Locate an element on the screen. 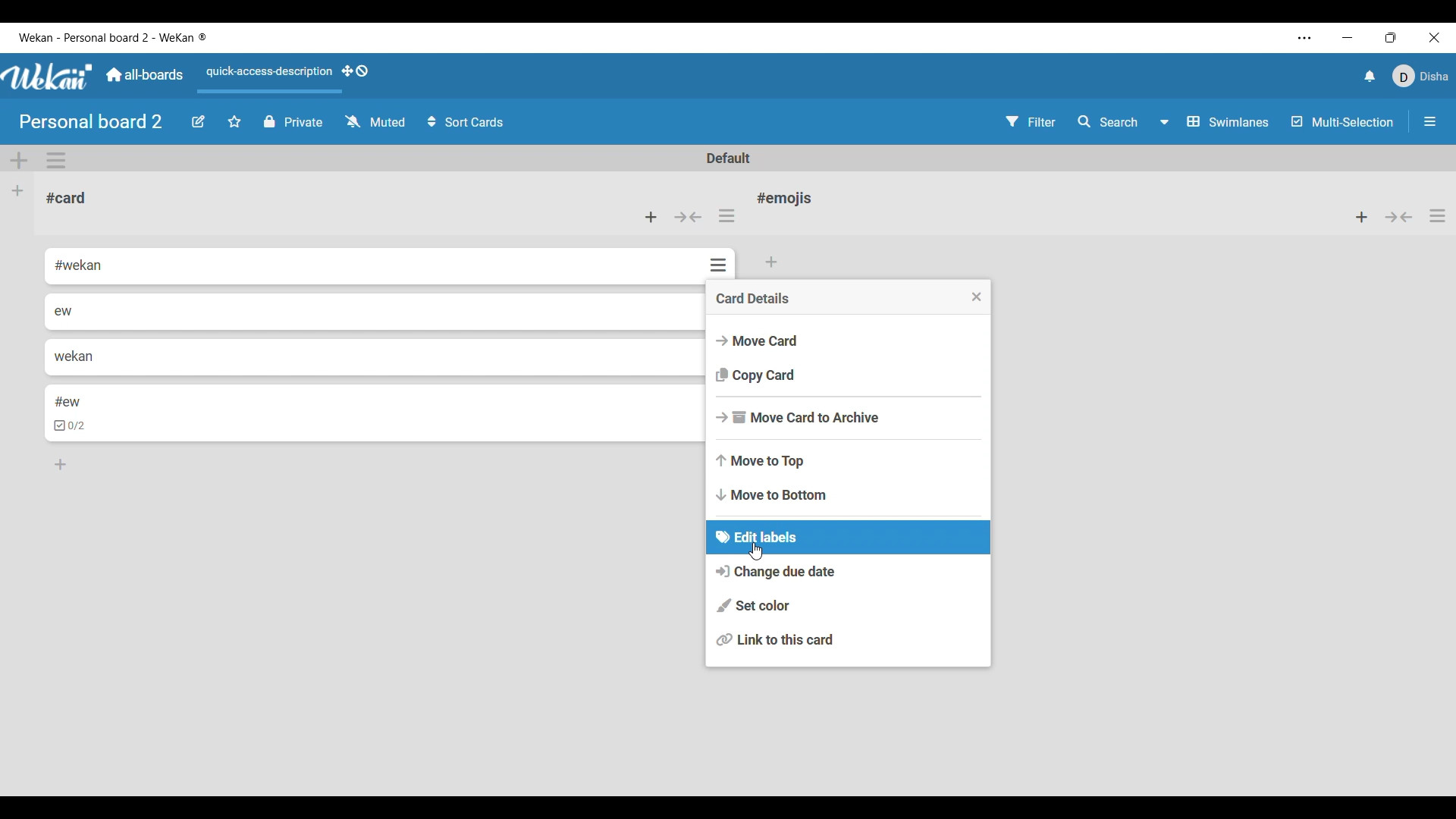 The height and width of the screenshot is (819, 1456). Close menu is located at coordinates (976, 297).